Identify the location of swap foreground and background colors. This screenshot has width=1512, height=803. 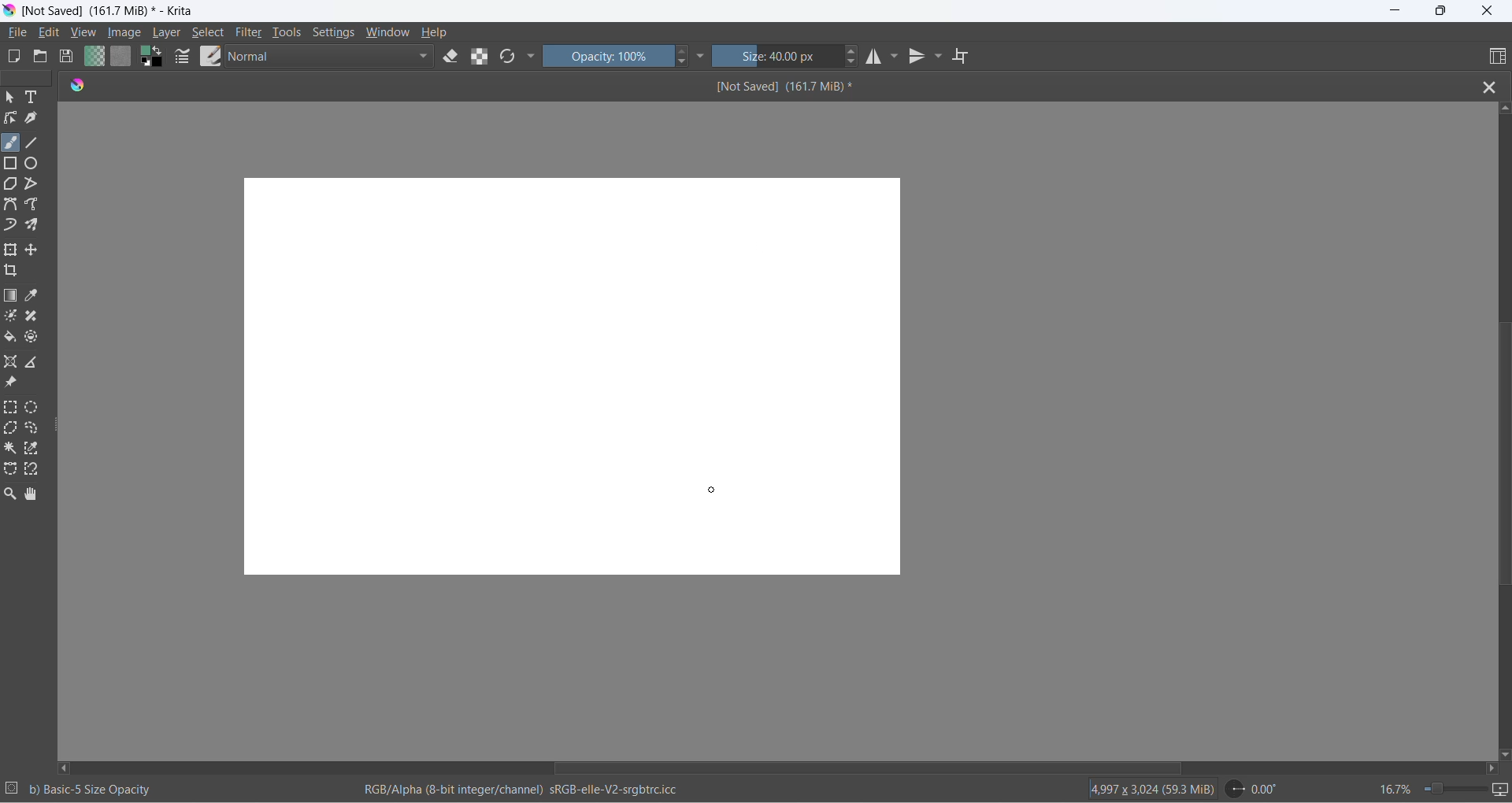
(155, 60).